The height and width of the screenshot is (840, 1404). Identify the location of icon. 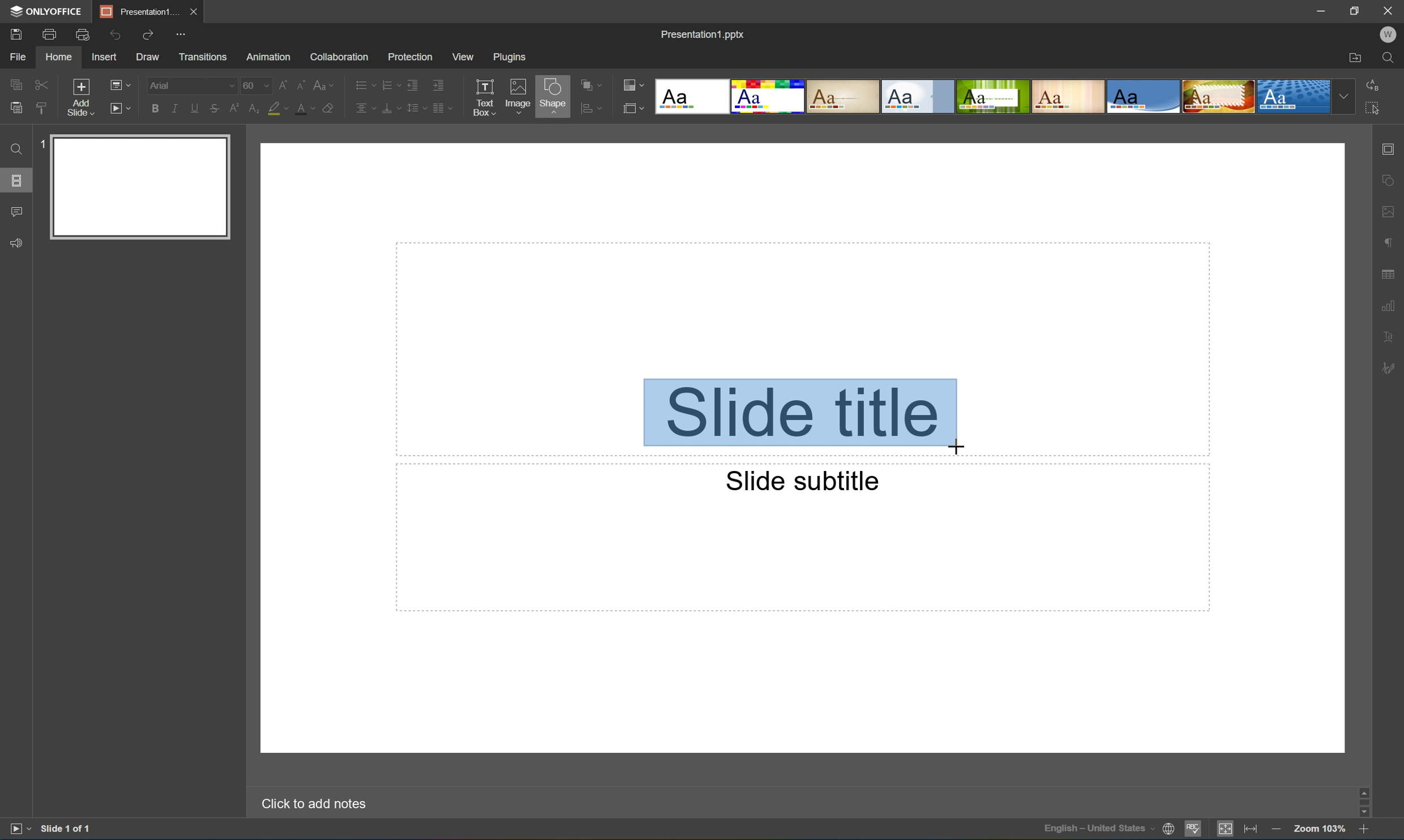
(585, 107).